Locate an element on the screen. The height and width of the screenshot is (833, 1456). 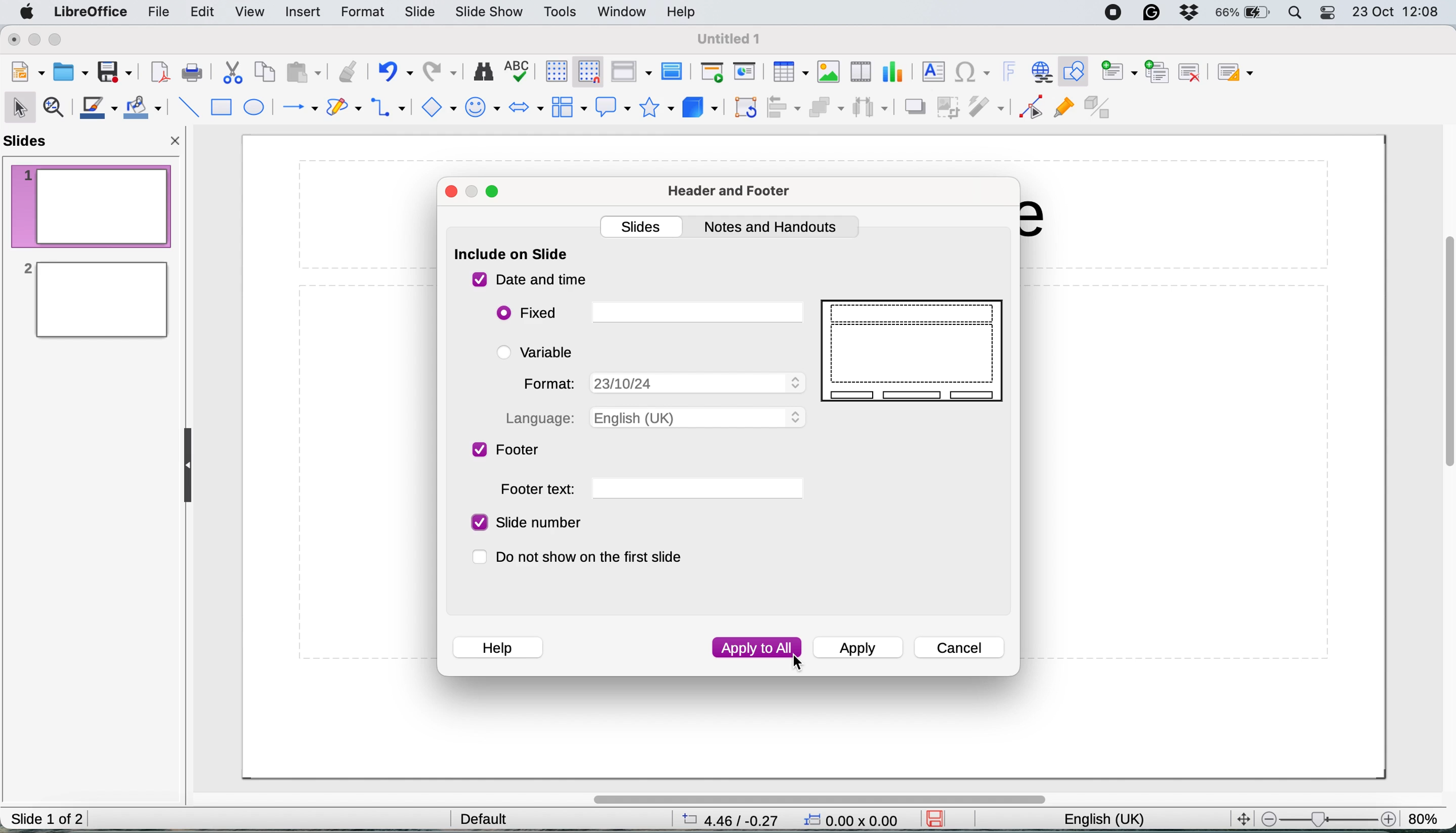
cancel is located at coordinates (960, 648).